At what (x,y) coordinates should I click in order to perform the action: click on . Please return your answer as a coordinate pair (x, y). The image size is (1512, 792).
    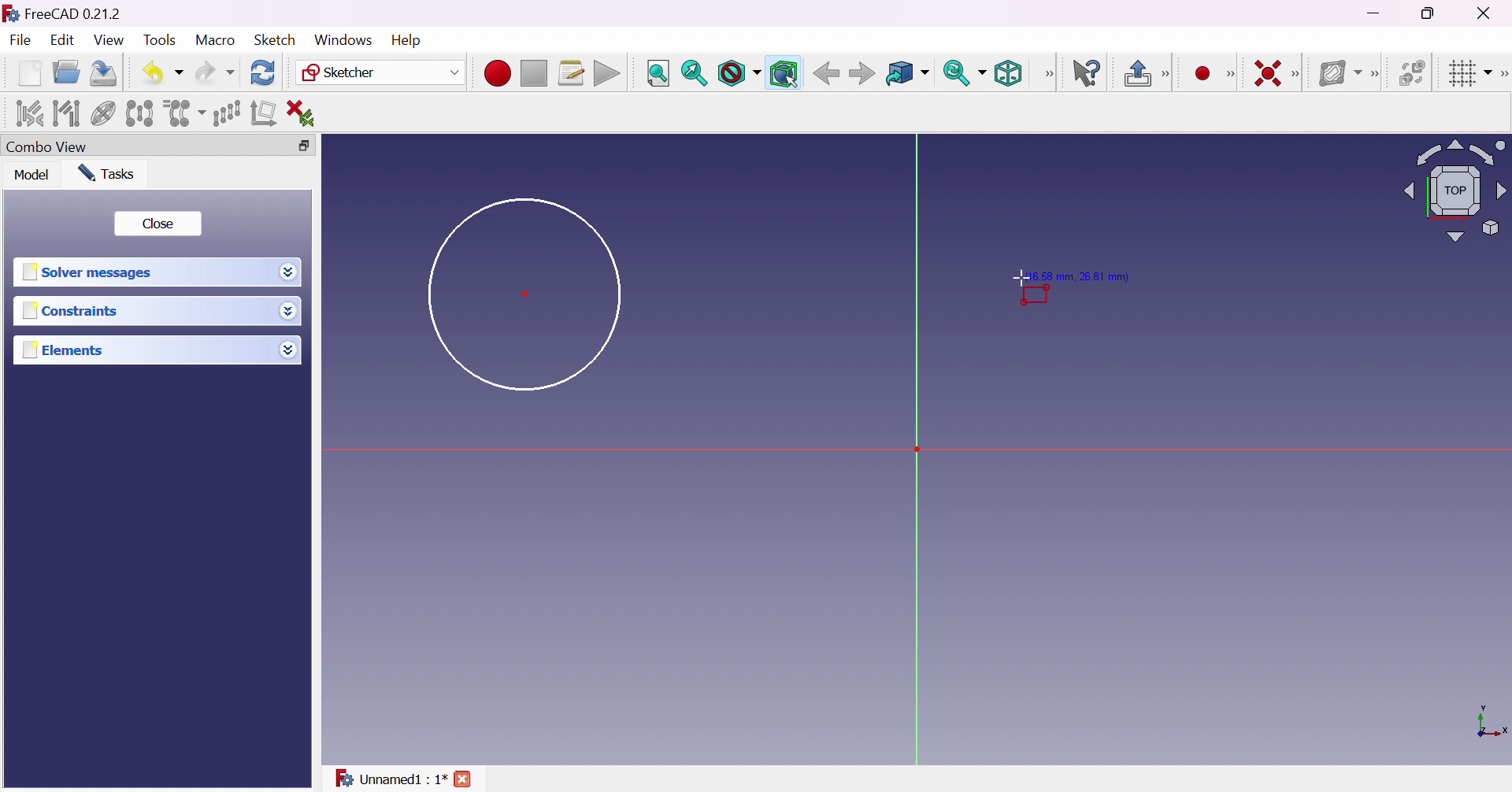
    Looking at the image, I should click on (965, 74).